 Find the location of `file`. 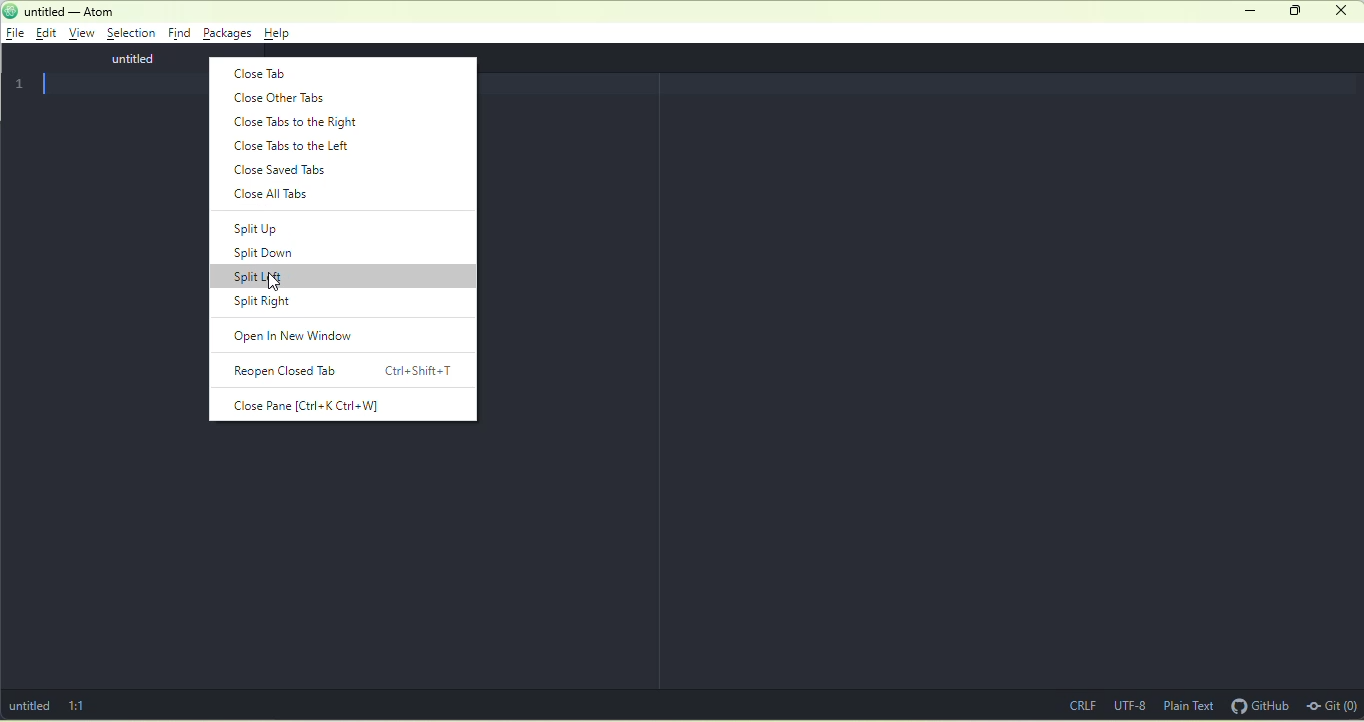

file is located at coordinates (16, 34).